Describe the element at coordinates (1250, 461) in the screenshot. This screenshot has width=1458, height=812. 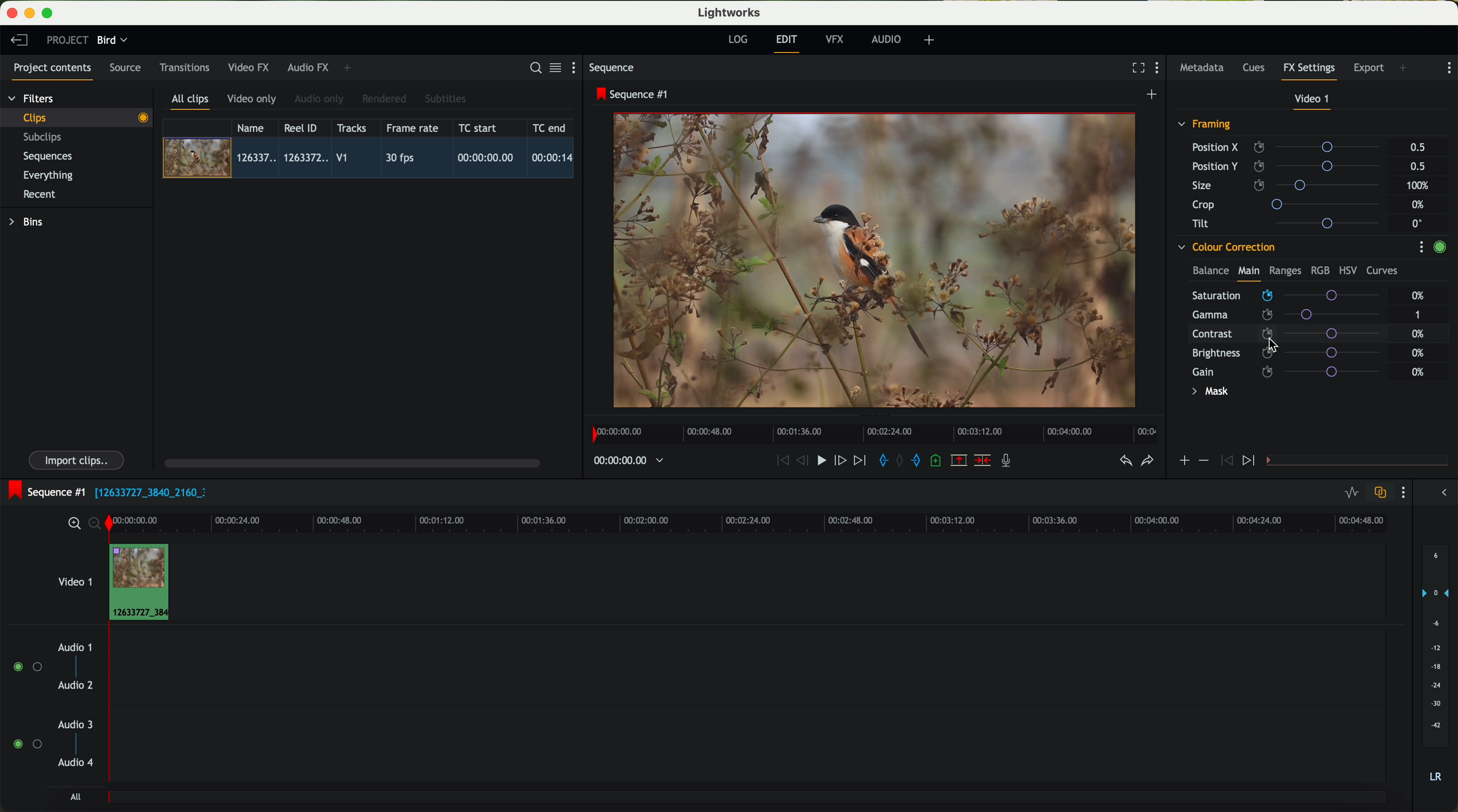
I see `icon` at that location.